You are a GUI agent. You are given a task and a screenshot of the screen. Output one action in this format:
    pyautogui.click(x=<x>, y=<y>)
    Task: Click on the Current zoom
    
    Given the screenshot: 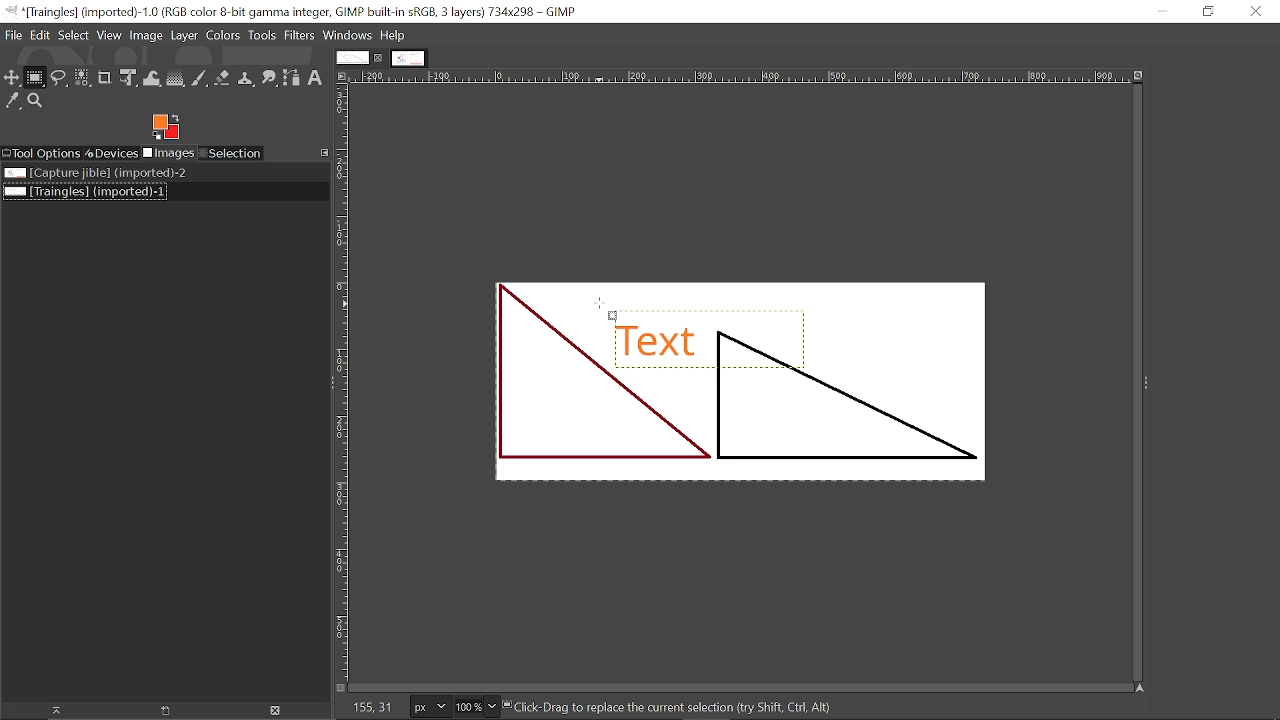 What is the action you would take?
    pyautogui.click(x=468, y=706)
    